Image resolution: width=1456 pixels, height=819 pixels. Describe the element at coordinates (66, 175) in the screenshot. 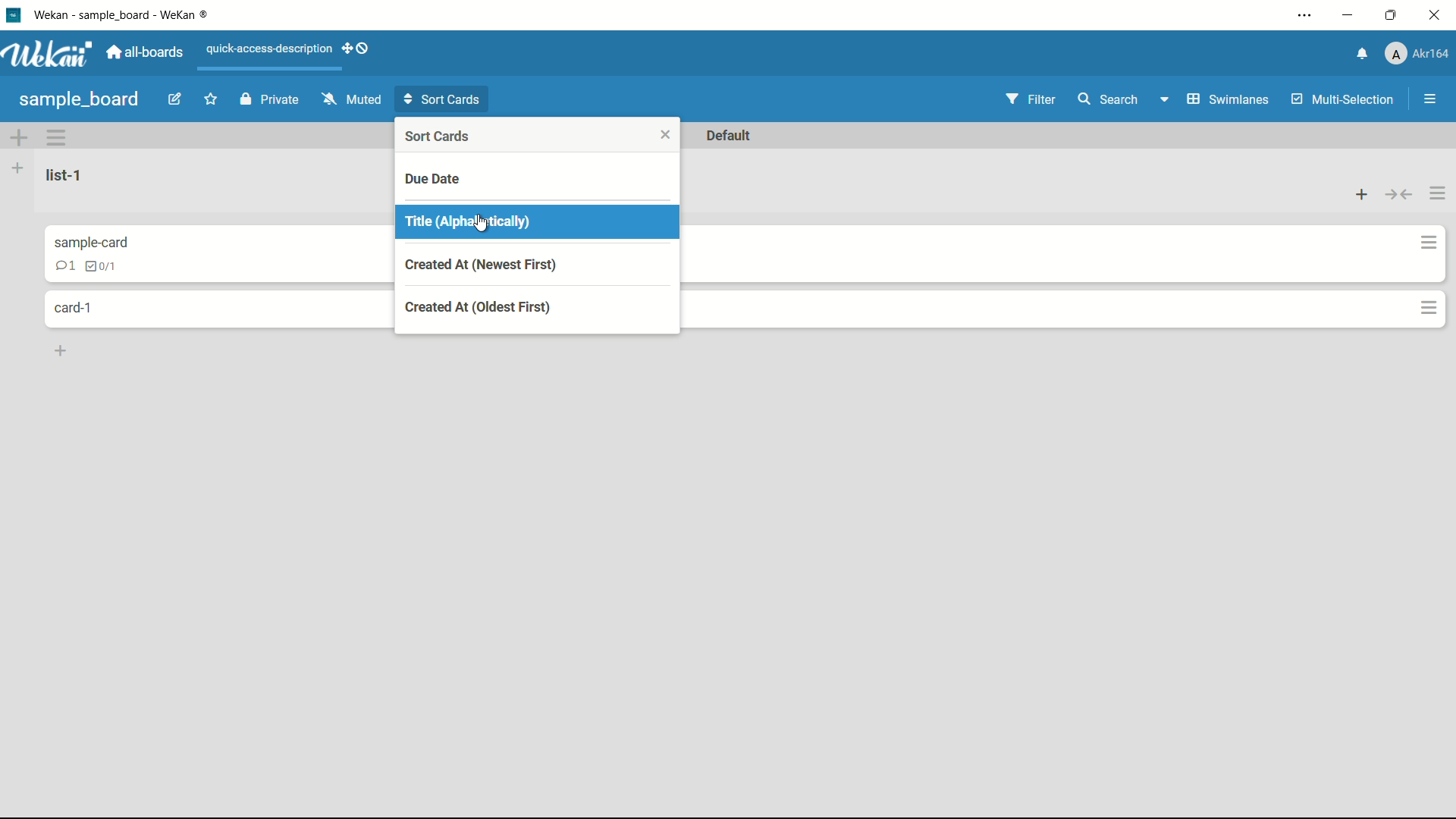

I see `list-1` at that location.